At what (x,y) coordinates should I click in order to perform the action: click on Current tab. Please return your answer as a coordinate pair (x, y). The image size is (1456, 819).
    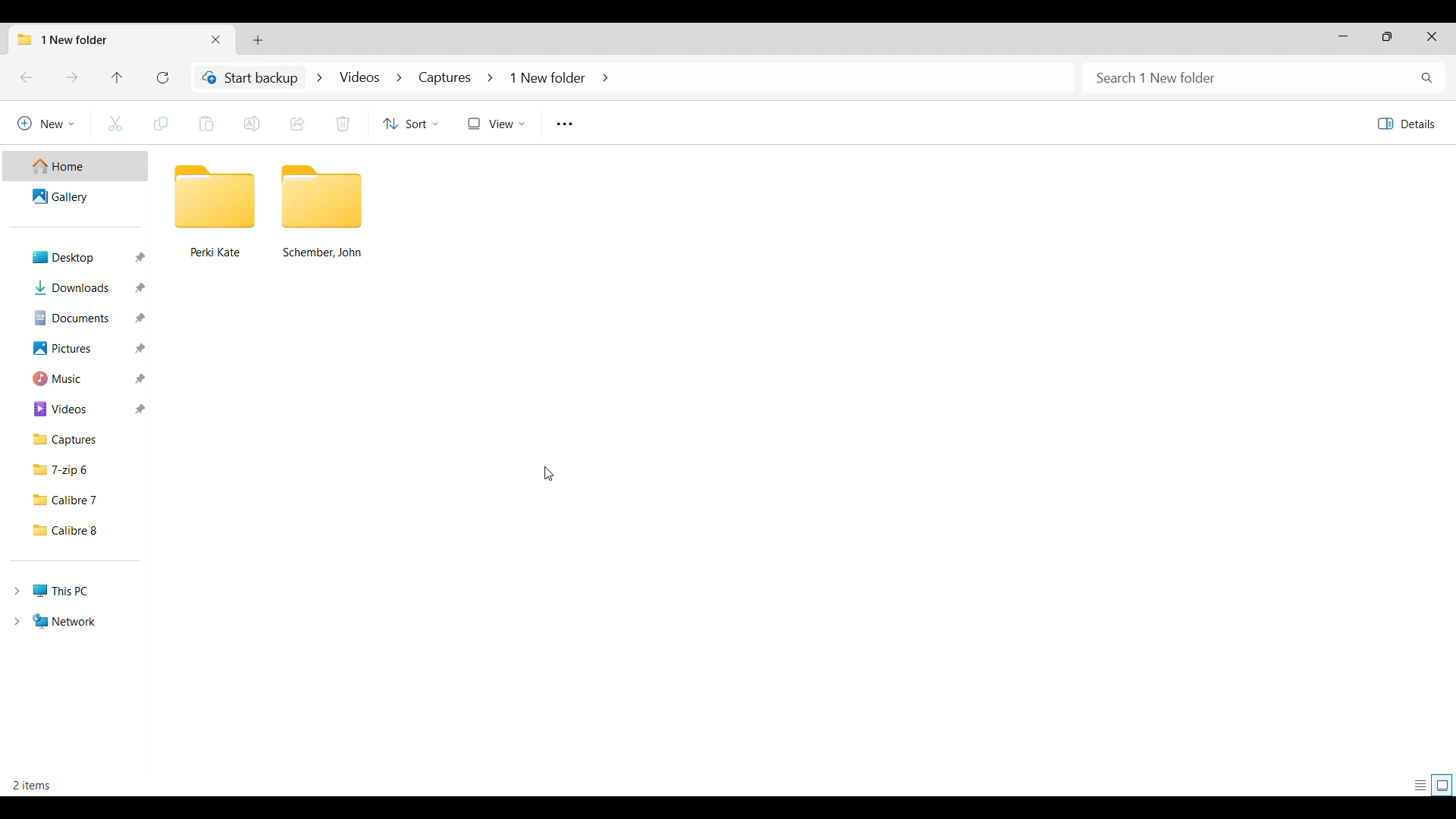
    Looking at the image, I should click on (105, 39).